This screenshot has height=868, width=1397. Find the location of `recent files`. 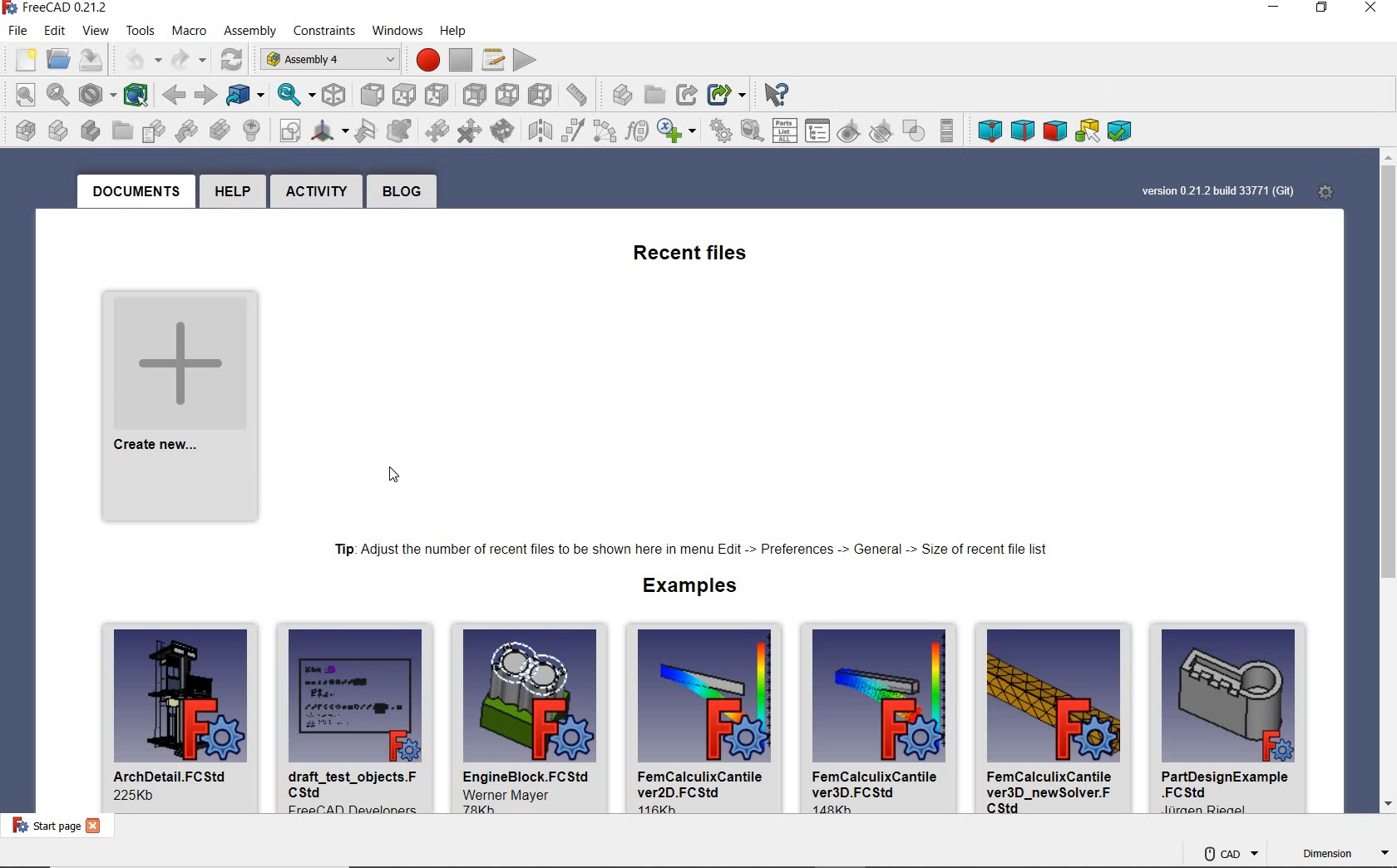

recent files is located at coordinates (690, 255).